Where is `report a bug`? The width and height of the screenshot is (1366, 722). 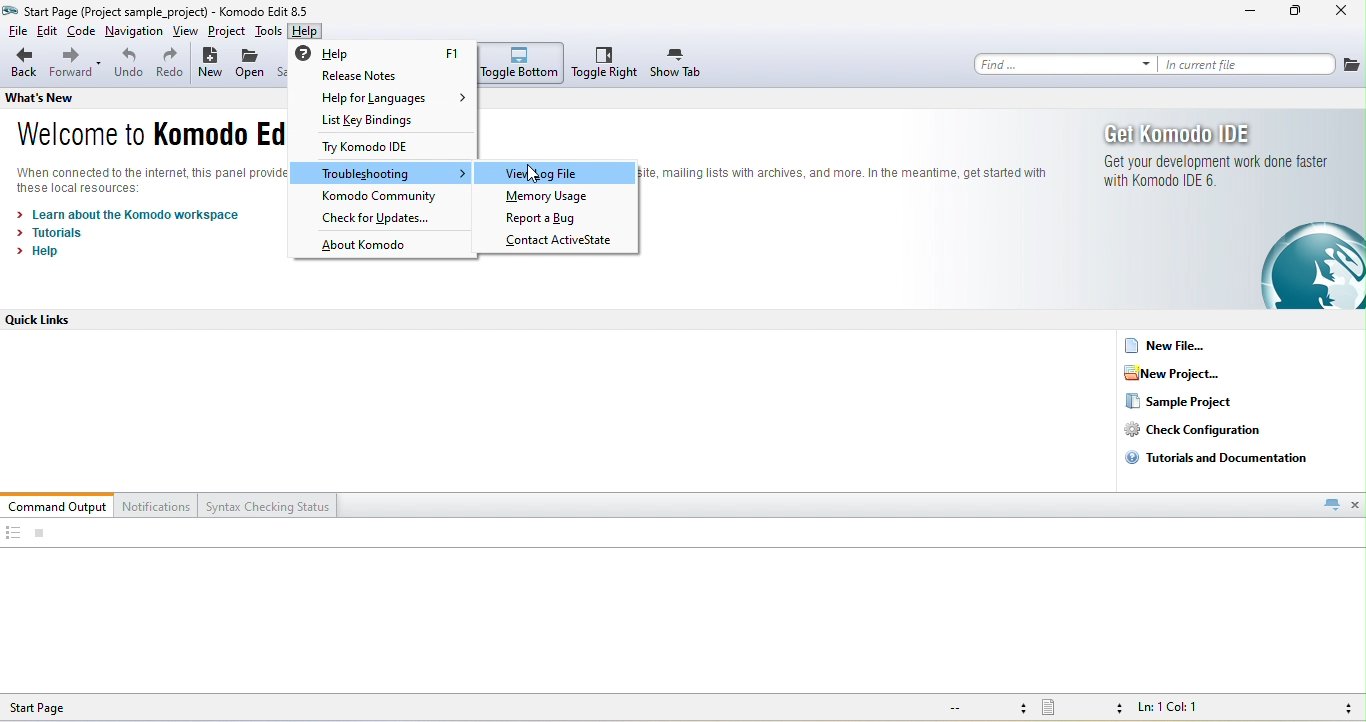 report a bug is located at coordinates (557, 219).